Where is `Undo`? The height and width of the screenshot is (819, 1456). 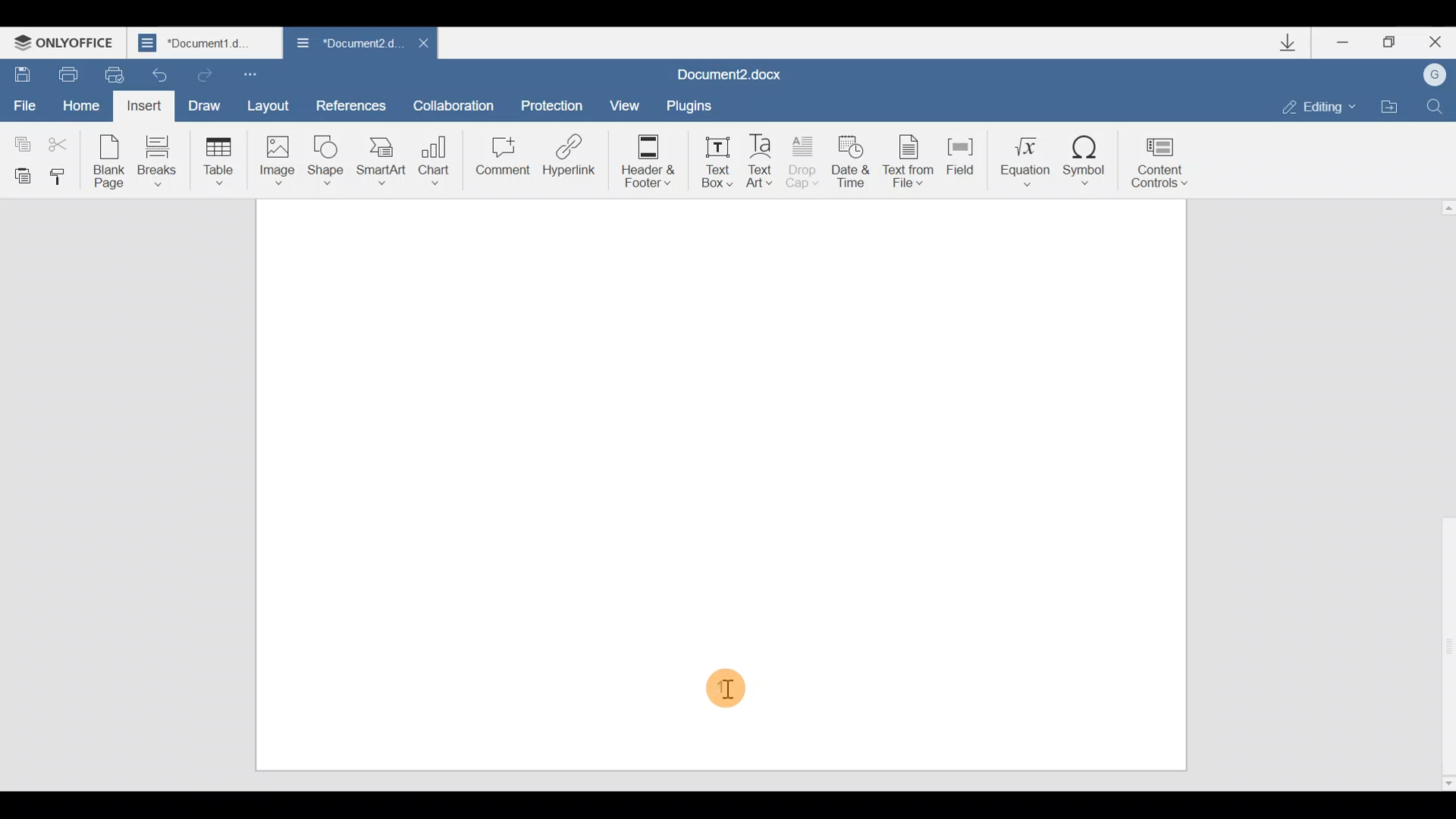 Undo is located at coordinates (161, 74).